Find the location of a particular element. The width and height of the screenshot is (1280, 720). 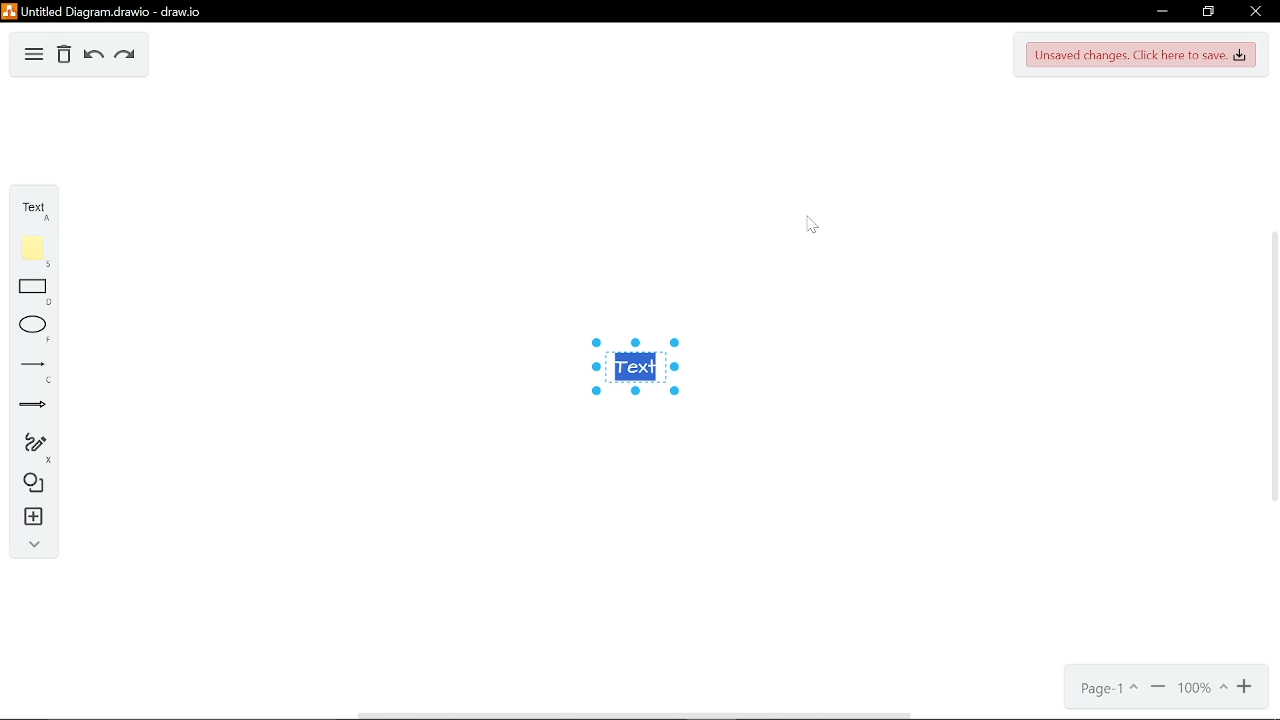

Insert is located at coordinates (27, 519).